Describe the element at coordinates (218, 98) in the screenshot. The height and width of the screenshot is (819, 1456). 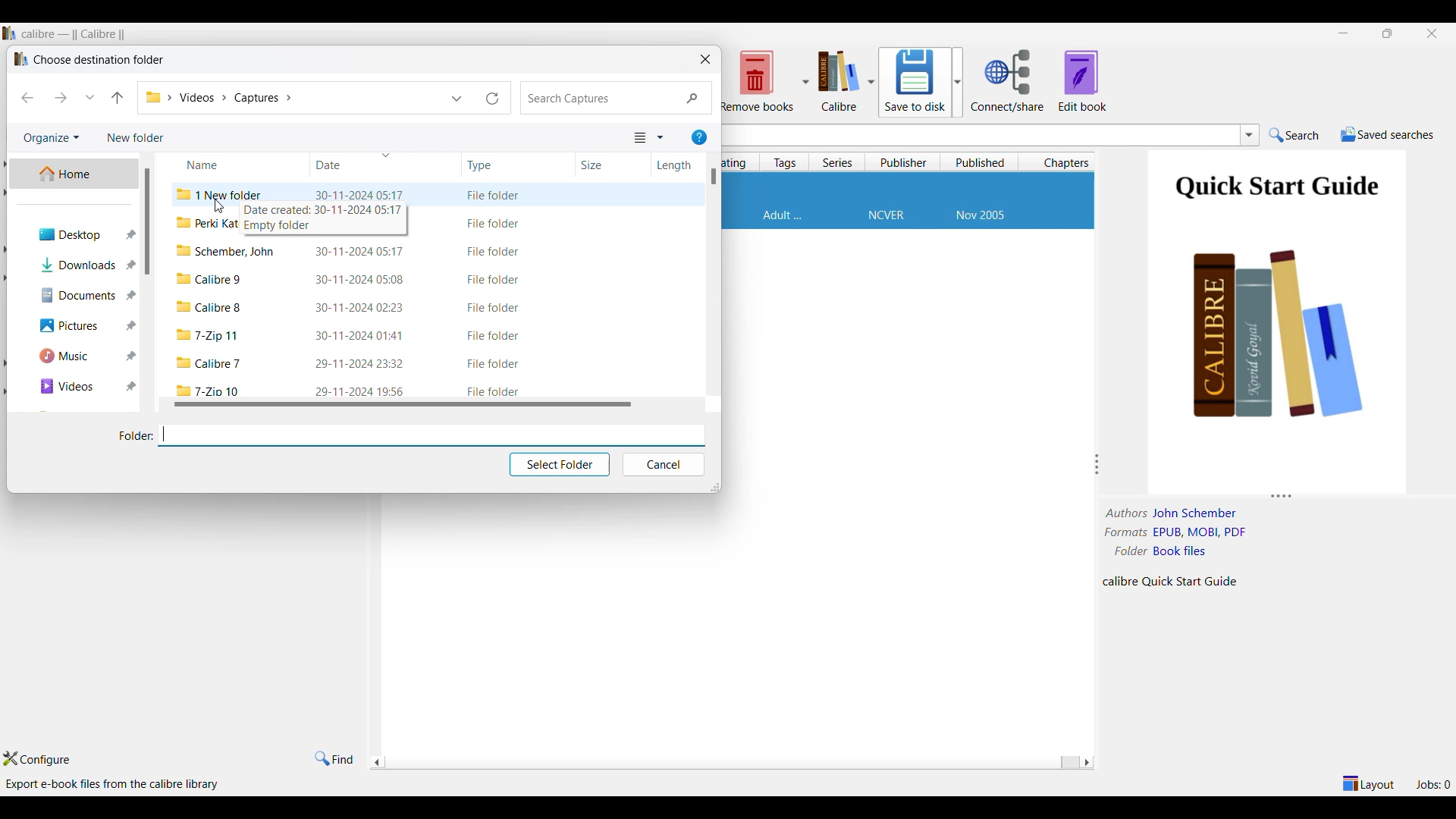
I see `Current pathway` at that location.